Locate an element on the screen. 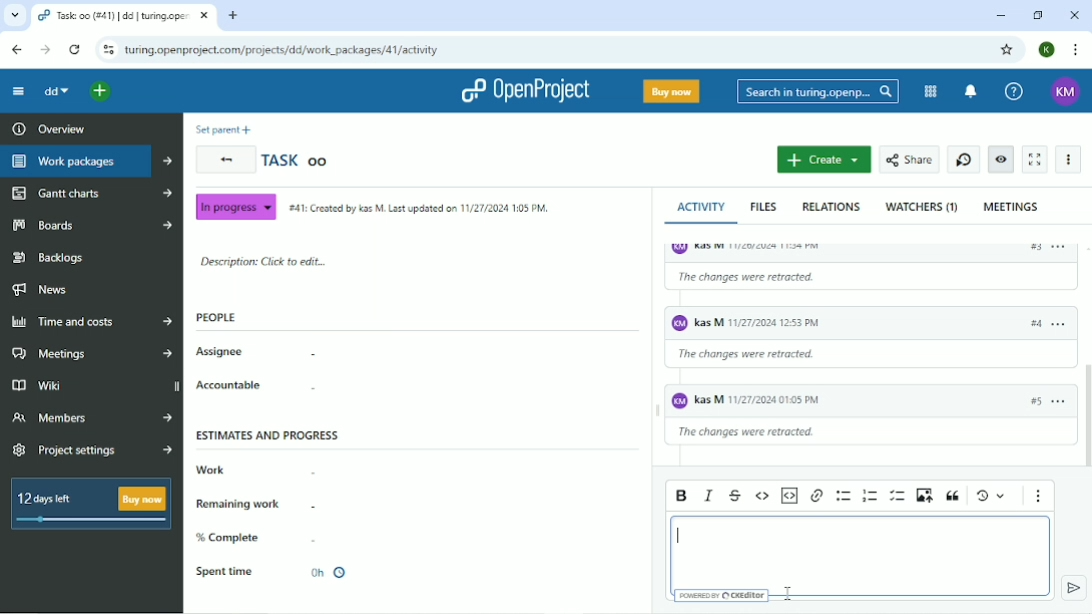 This screenshot has height=614, width=1092. The changes were retracted is located at coordinates (808, 285).